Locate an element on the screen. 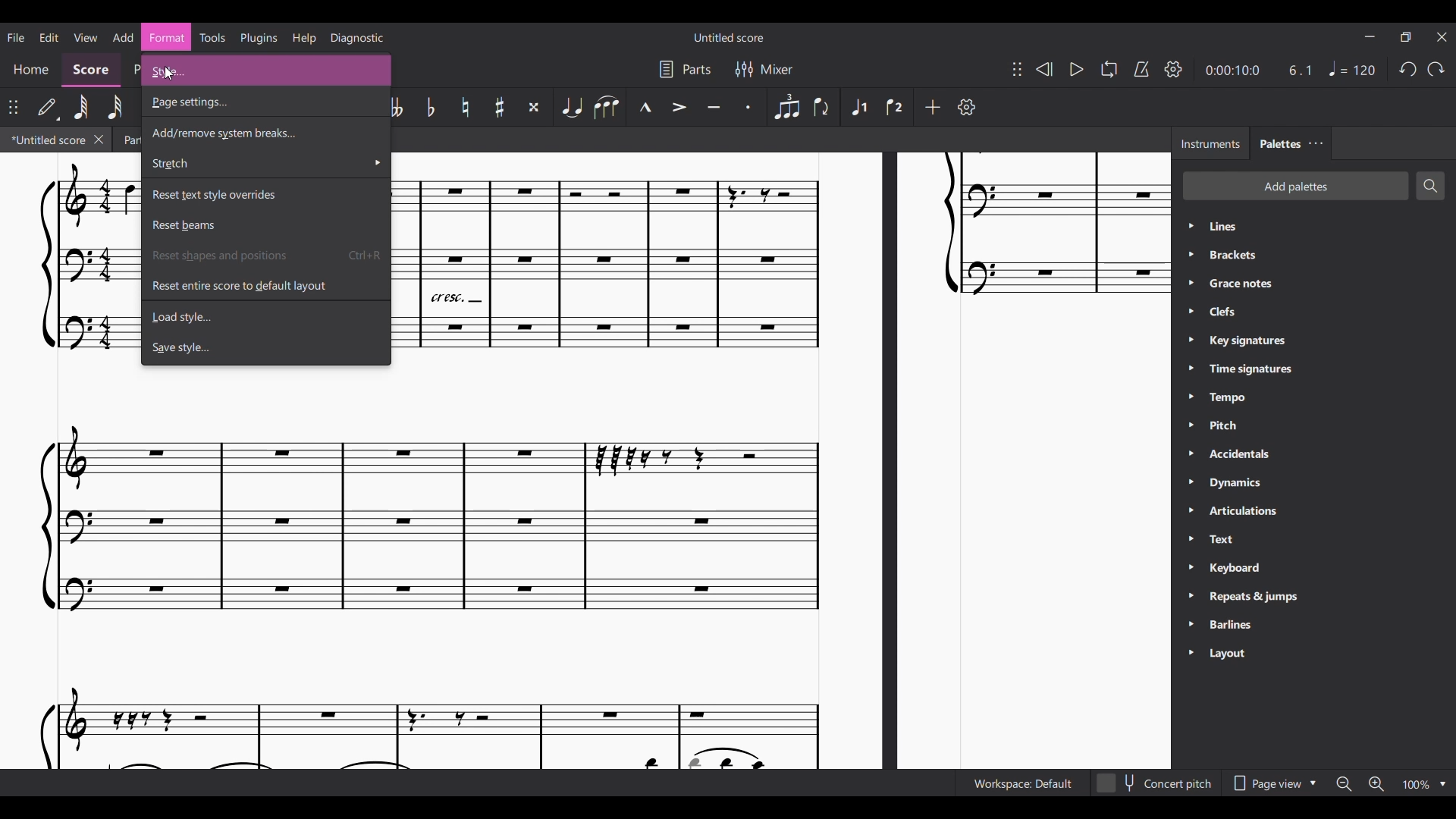 This screenshot has width=1456, height=819. Undo is located at coordinates (1407, 70).